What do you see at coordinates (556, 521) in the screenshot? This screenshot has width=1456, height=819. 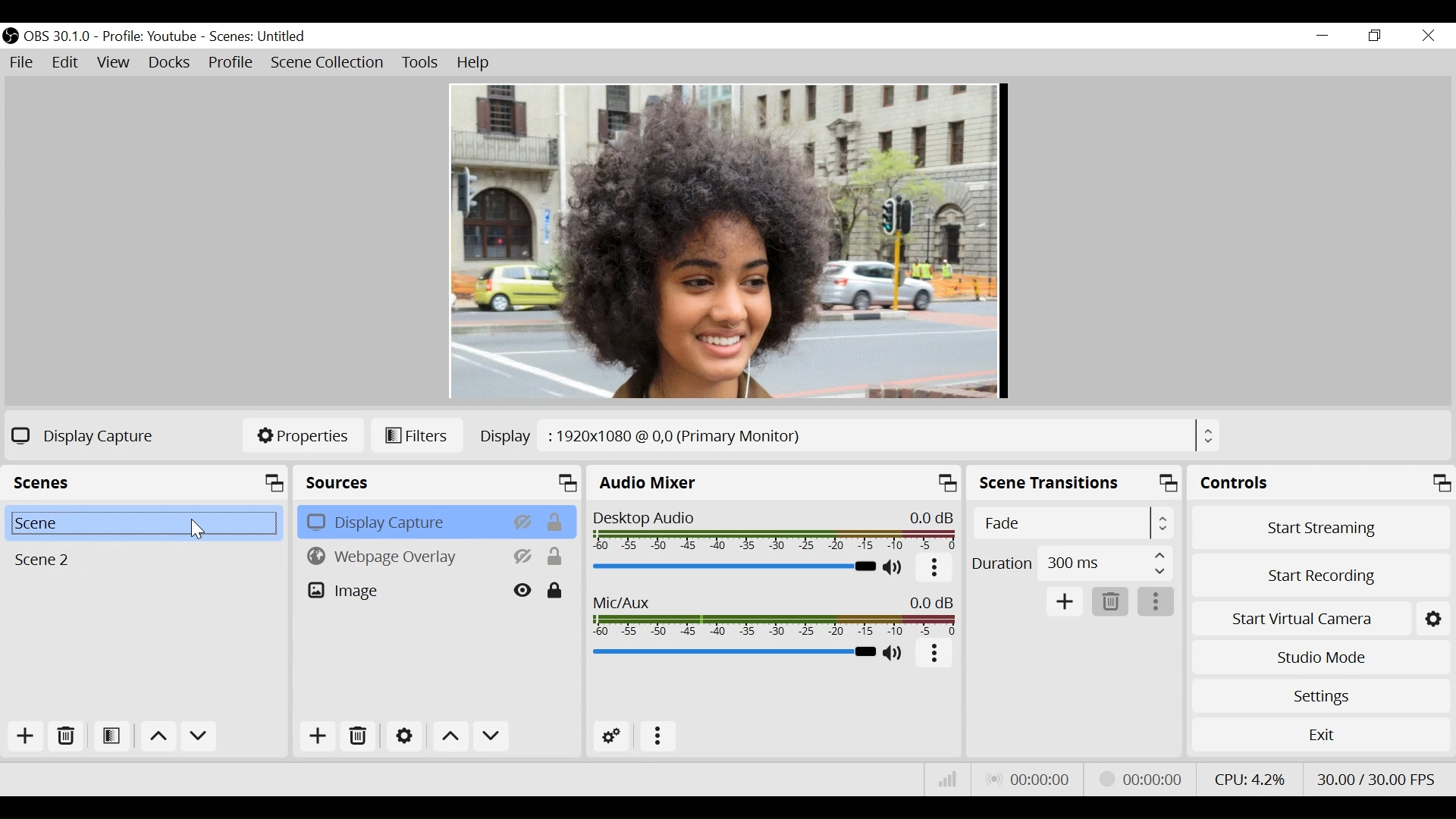 I see `(un)lock` at bounding box center [556, 521].